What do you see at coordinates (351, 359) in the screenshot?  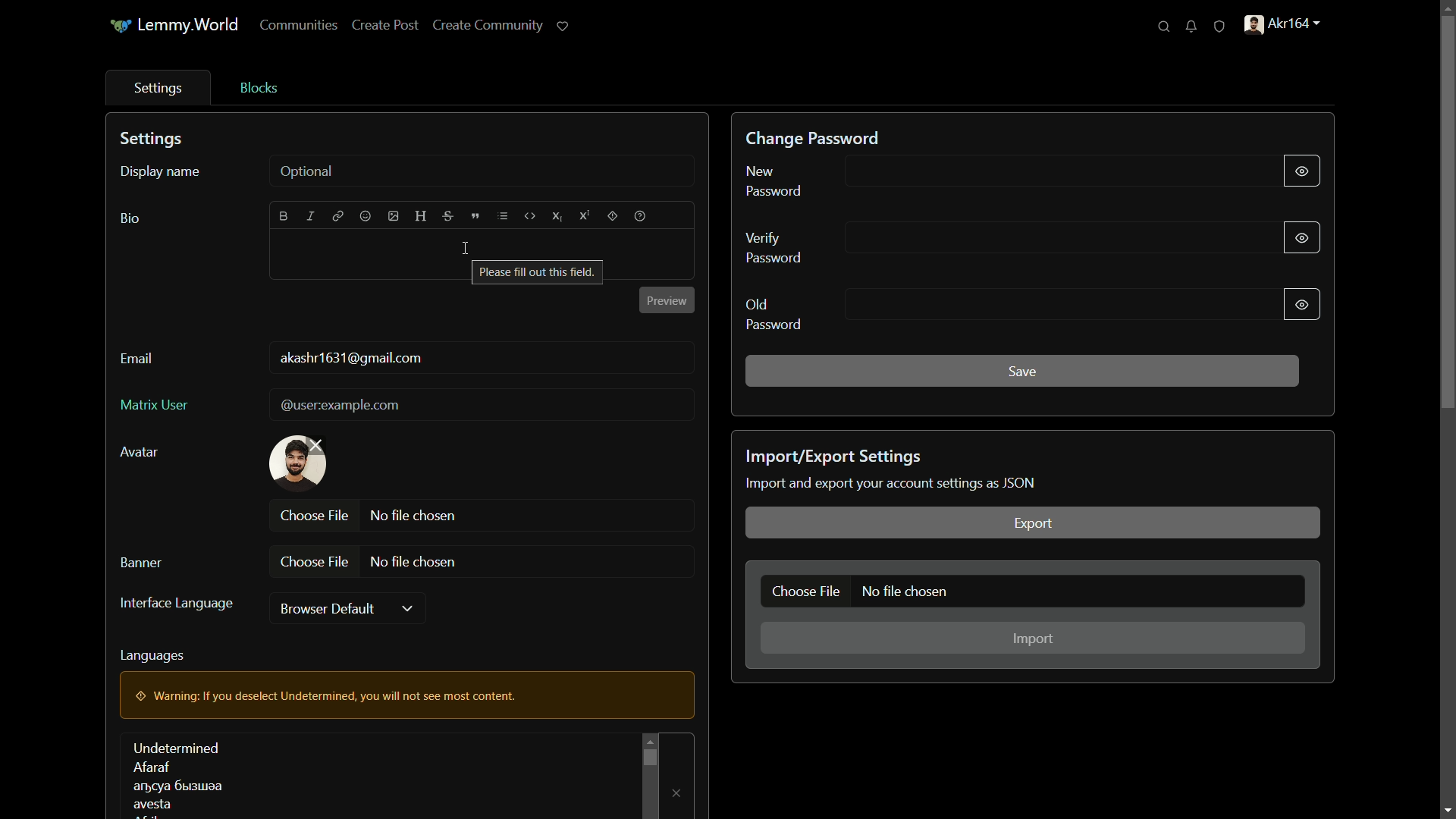 I see `user mail` at bounding box center [351, 359].